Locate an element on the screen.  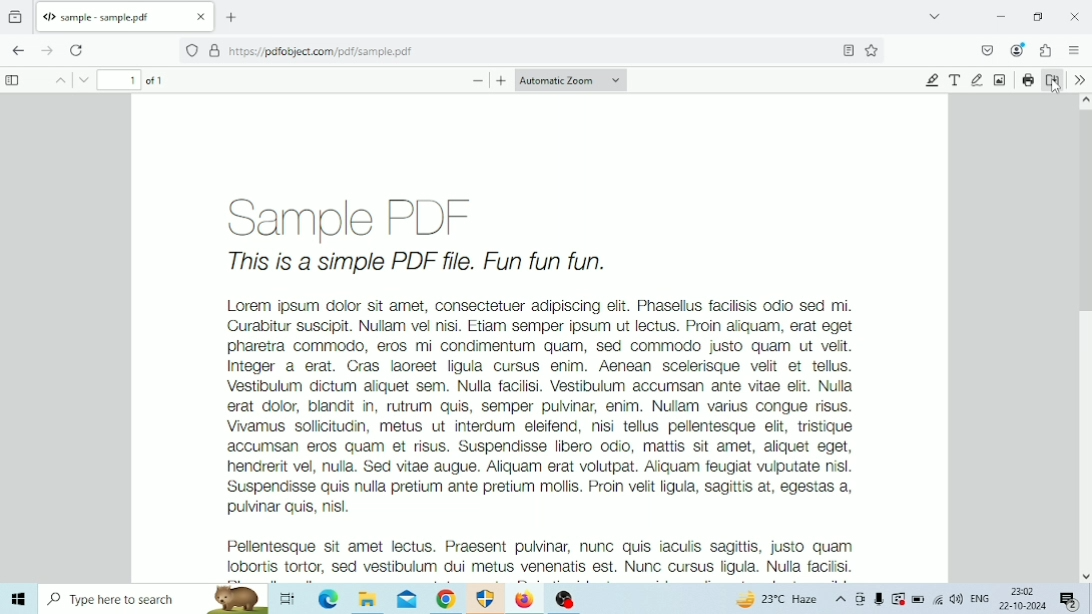
Restore Down is located at coordinates (1039, 17).